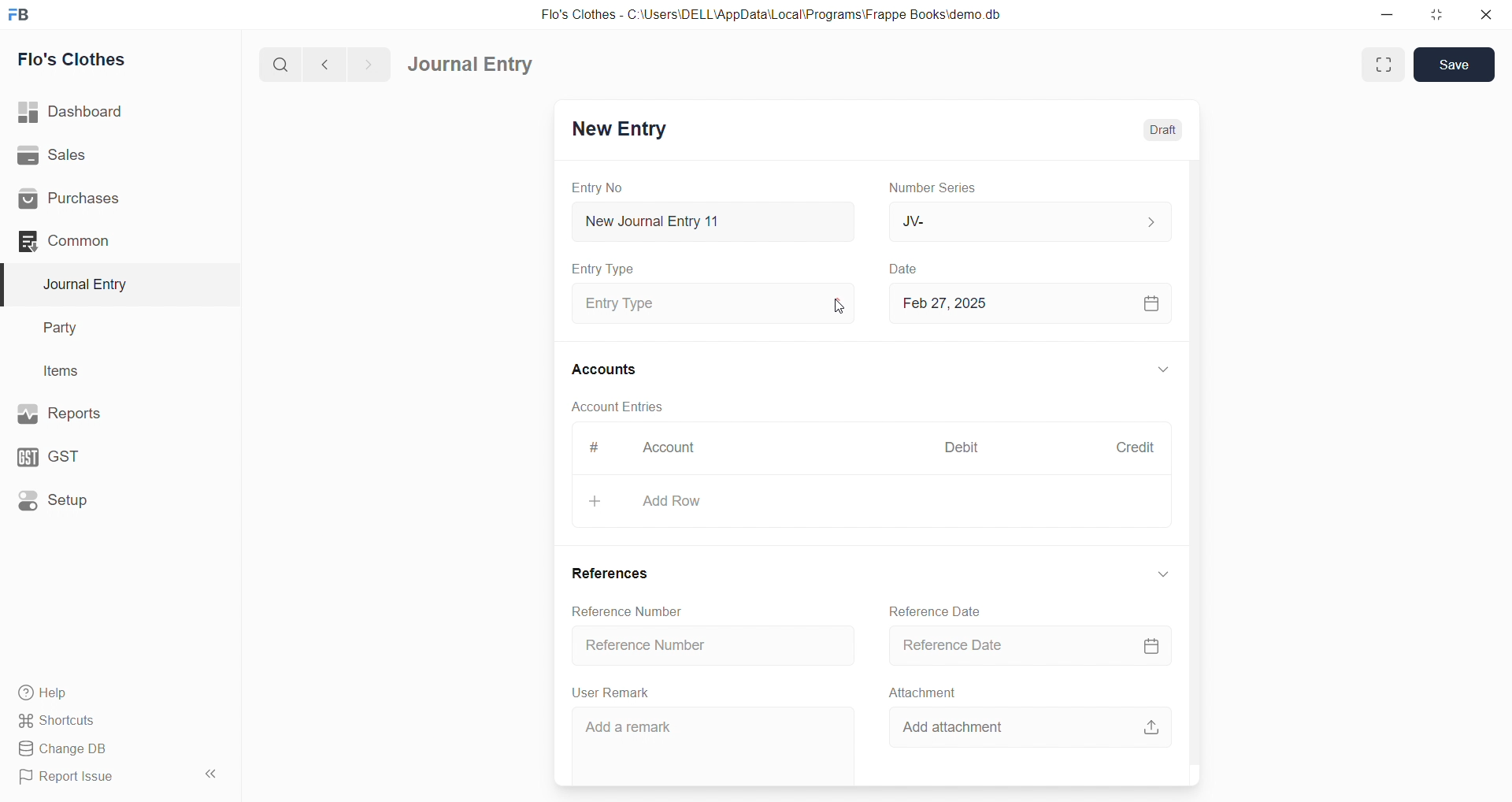 This screenshot has width=1512, height=802. I want to click on Entry No, so click(597, 188).